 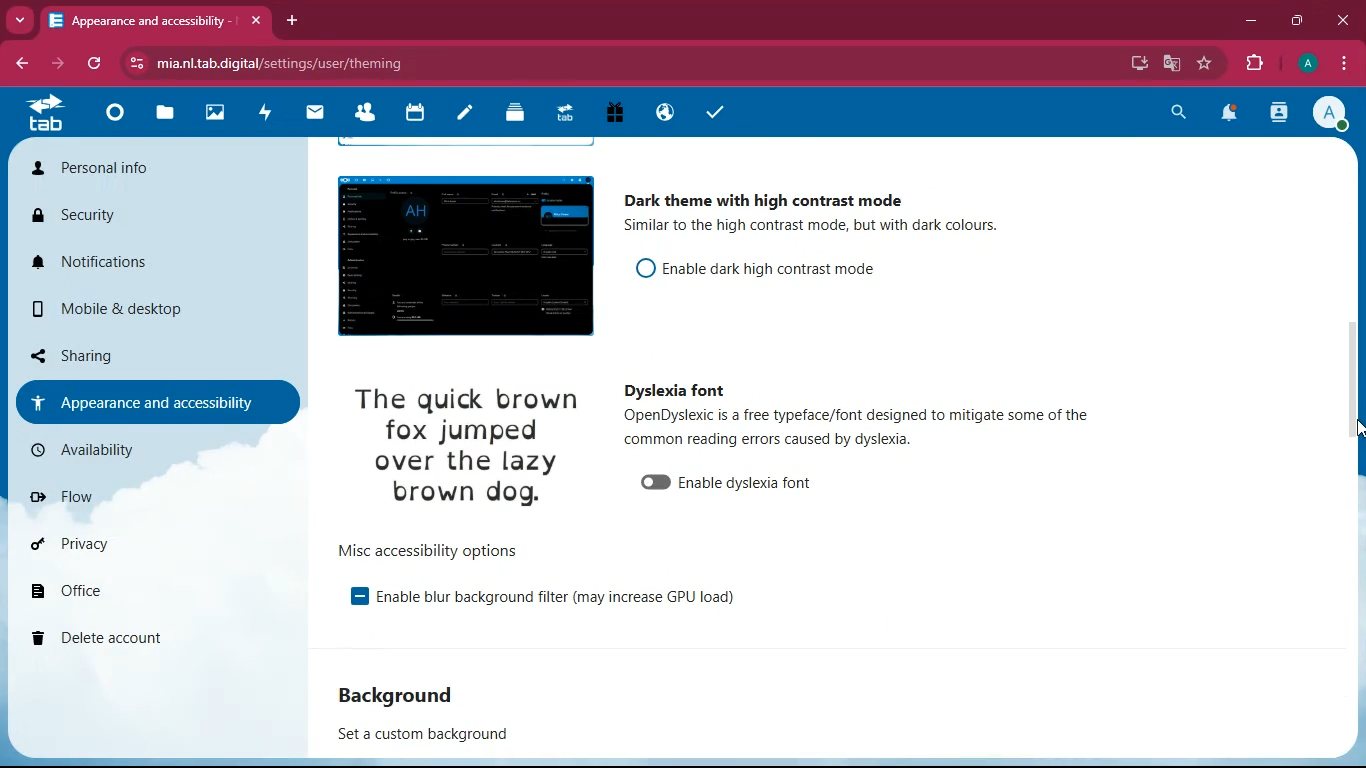 What do you see at coordinates (673, 390) in the screenshot?
I see `dyslexia` at bounding box center [673, 390].